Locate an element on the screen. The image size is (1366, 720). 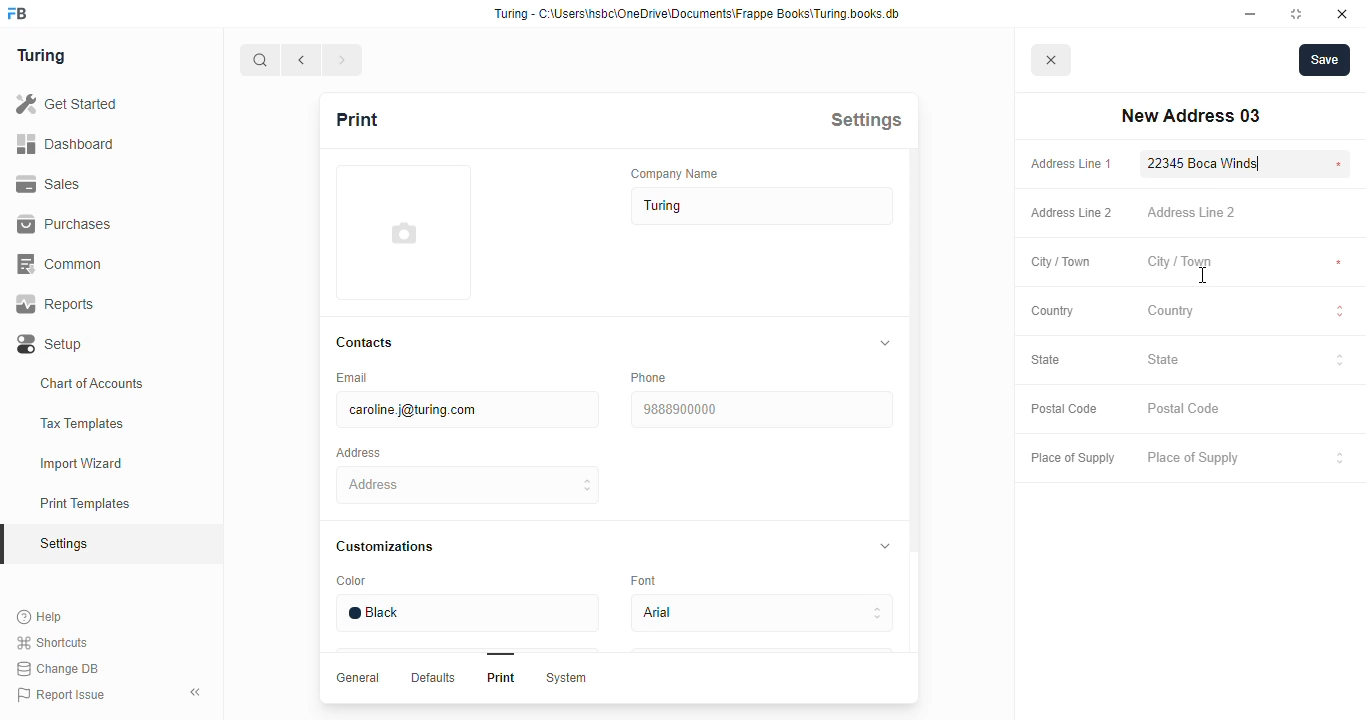
toggle expand/collapse is located at coordinates (881, 544).